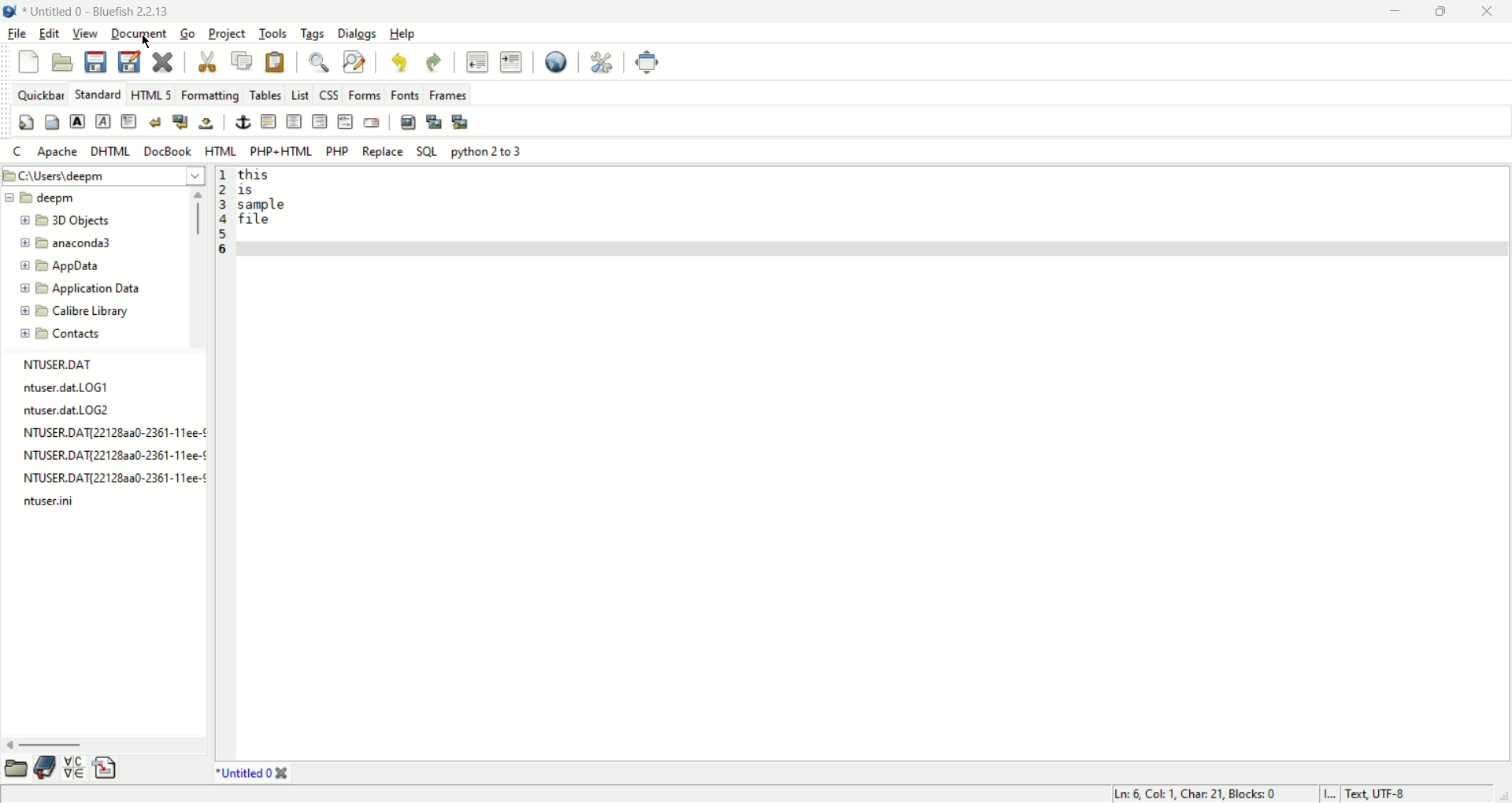 The image size is (1512, 803). I want to click on formatting, so click(212, 94).